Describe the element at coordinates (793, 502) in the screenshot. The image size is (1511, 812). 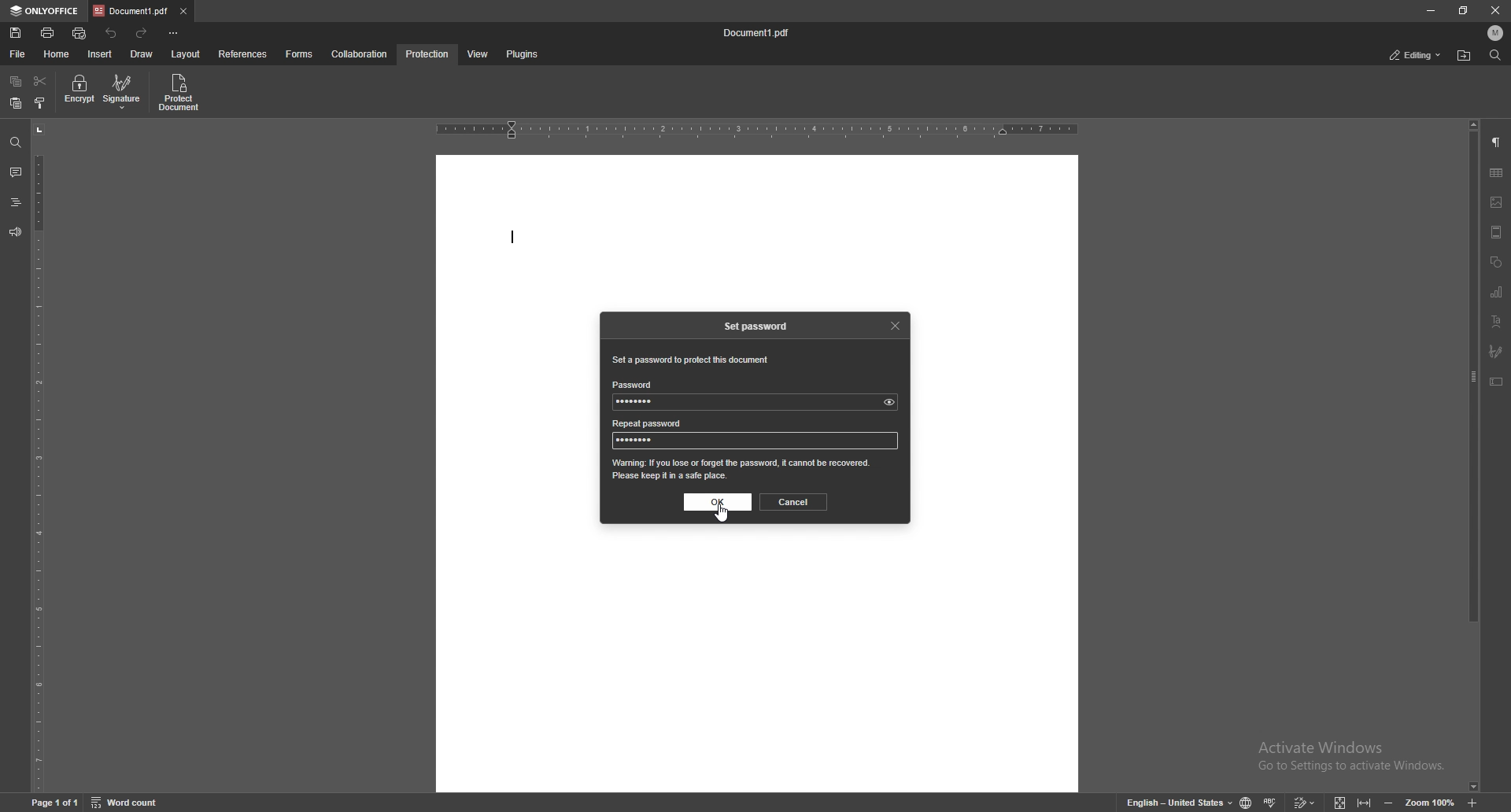
I see `cancel` at that location.